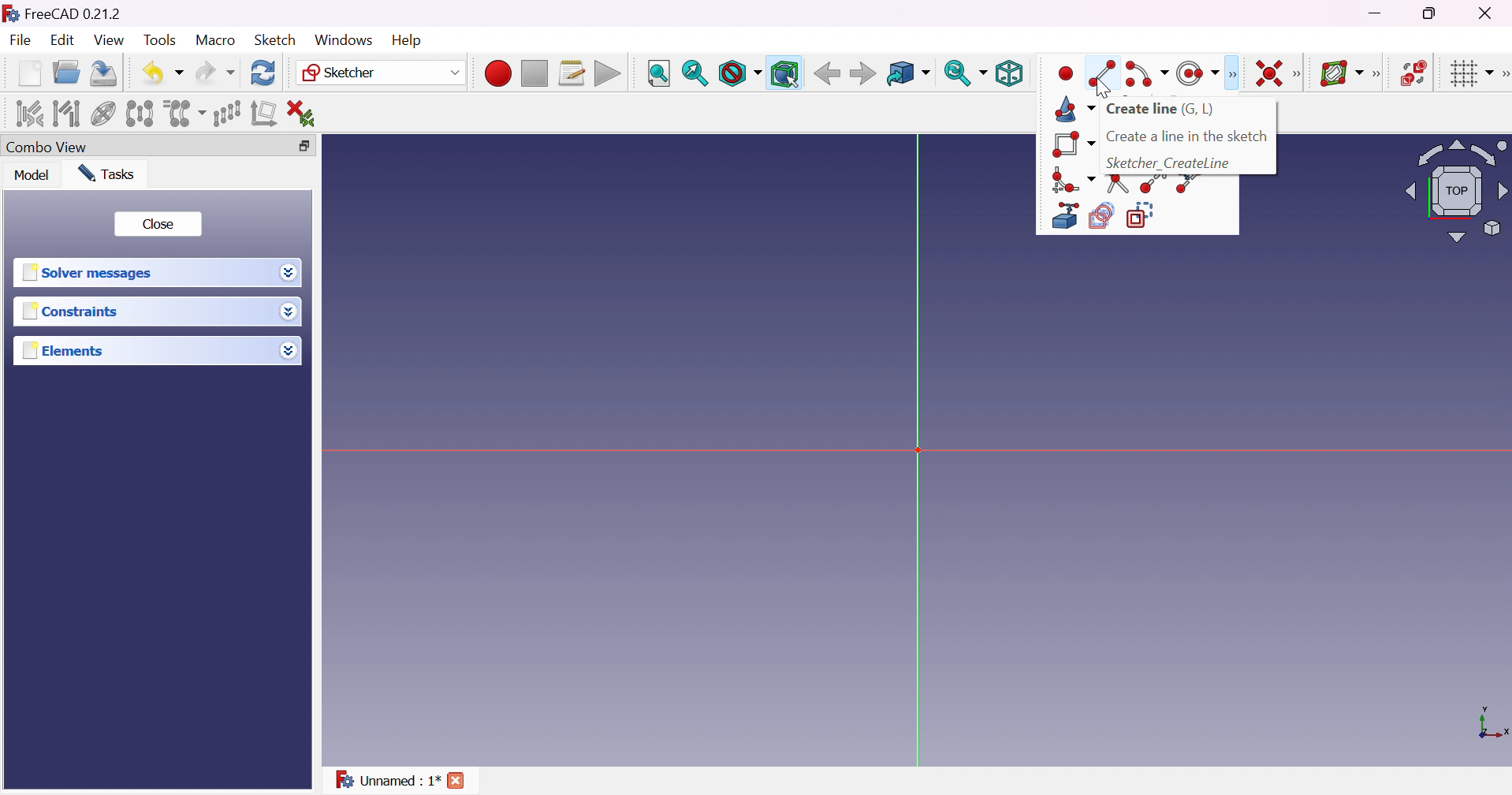  What do you see at coordinates (66, 114) in the screenshot?
I see `Select associated geometry` at bounding box center [66, 114].